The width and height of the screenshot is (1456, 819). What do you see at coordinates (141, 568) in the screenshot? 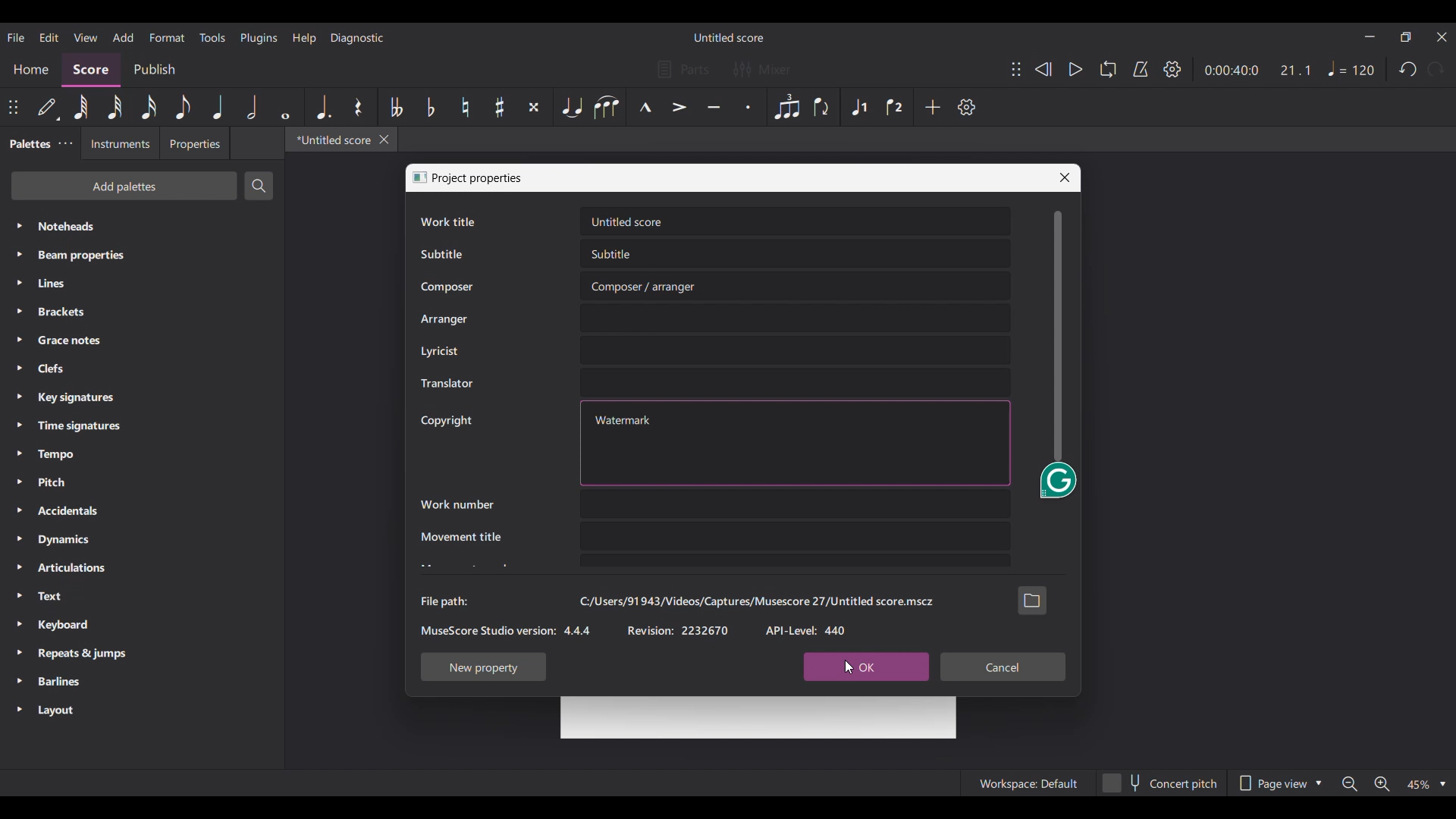
I see `Articulations` at bounding box center [141, 568].